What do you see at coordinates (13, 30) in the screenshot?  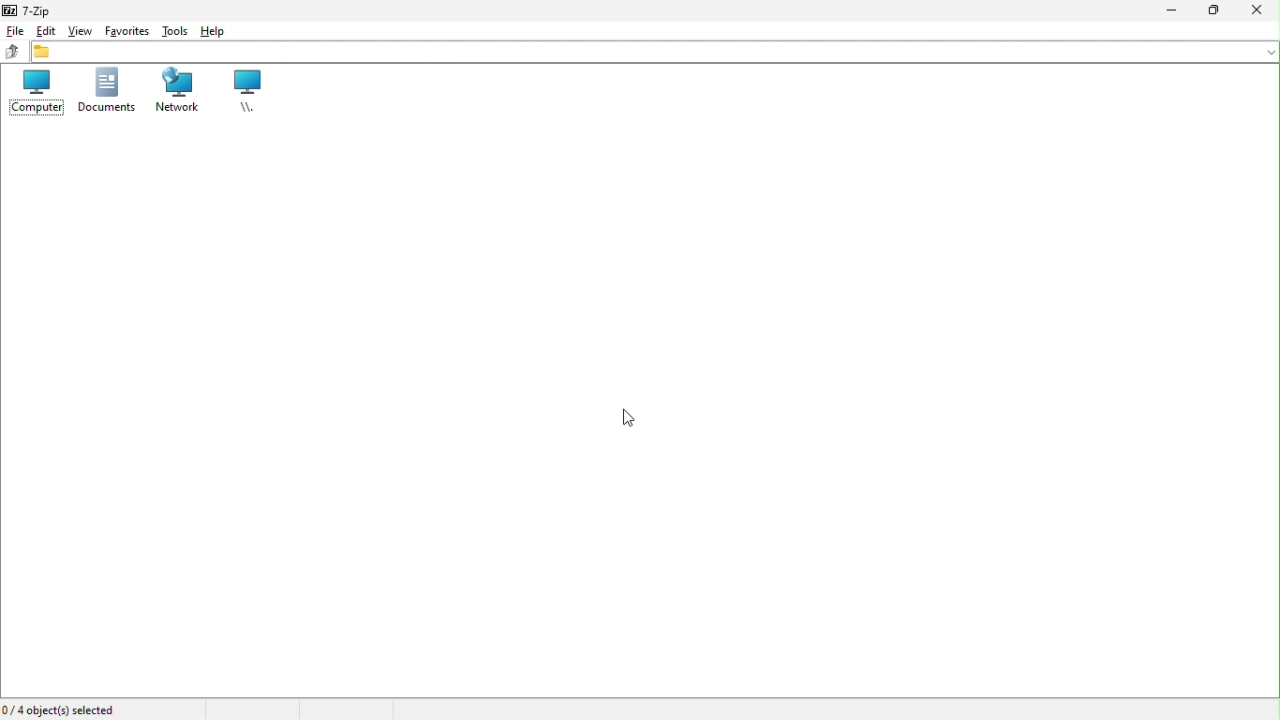 I see `file` at bounding box center [13, 30].